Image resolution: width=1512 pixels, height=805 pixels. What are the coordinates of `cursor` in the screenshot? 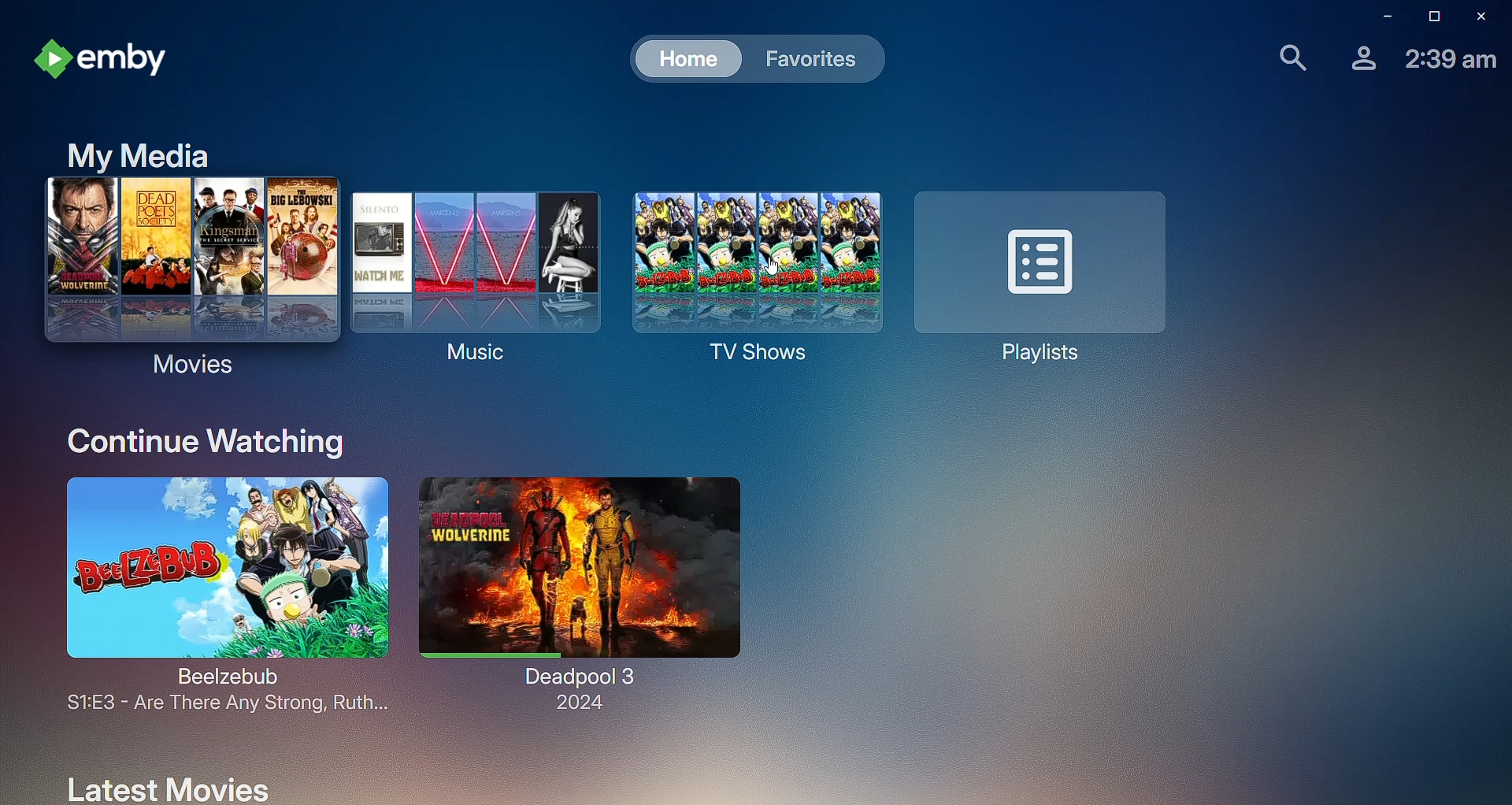 It's located at (776, 268).